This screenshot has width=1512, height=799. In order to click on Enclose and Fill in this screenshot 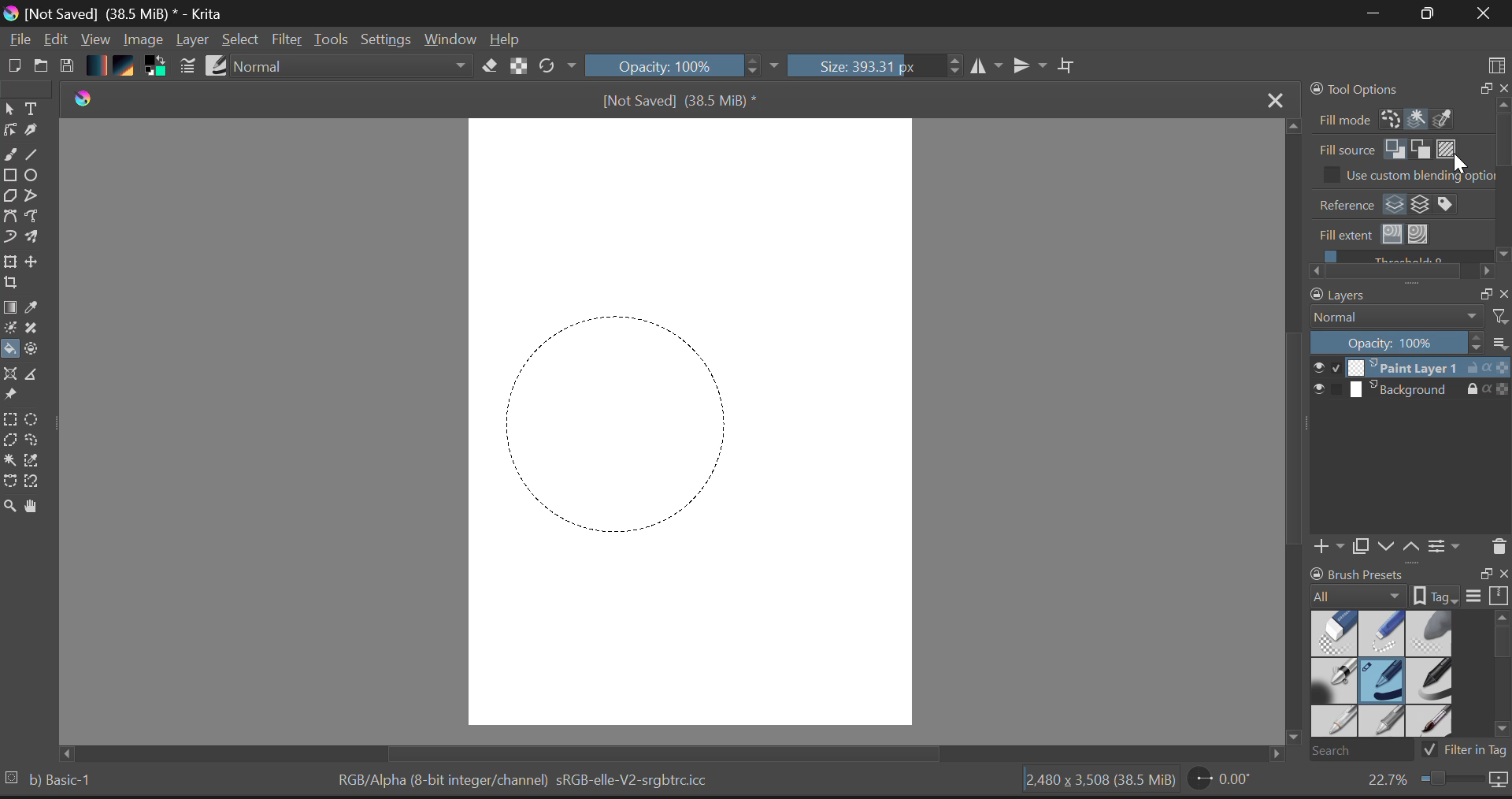, I will do `click(37, 349)`.